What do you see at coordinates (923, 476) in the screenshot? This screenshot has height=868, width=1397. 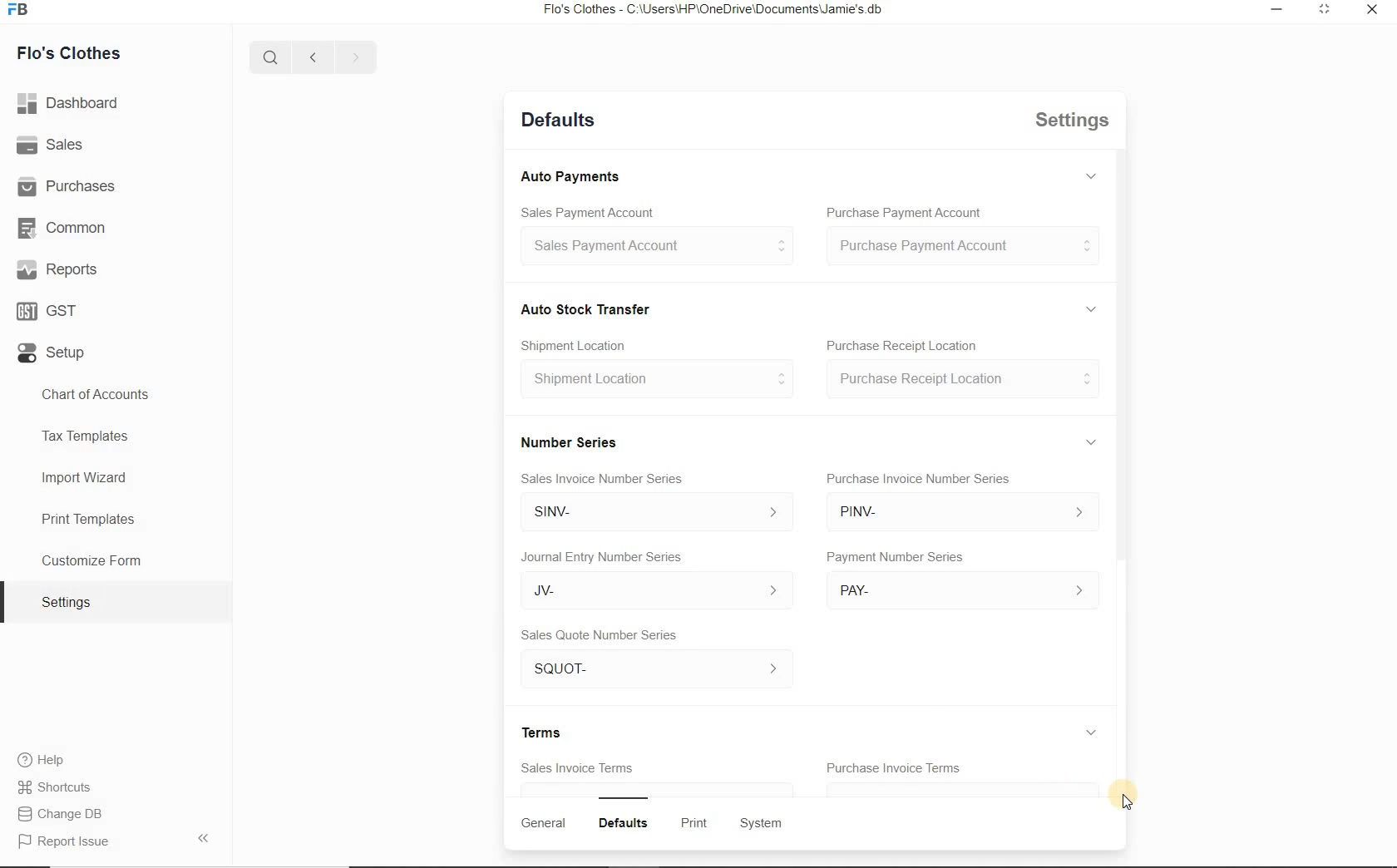 I see `Purchase Invoice Number Series.` at bounding box center [923, 476].